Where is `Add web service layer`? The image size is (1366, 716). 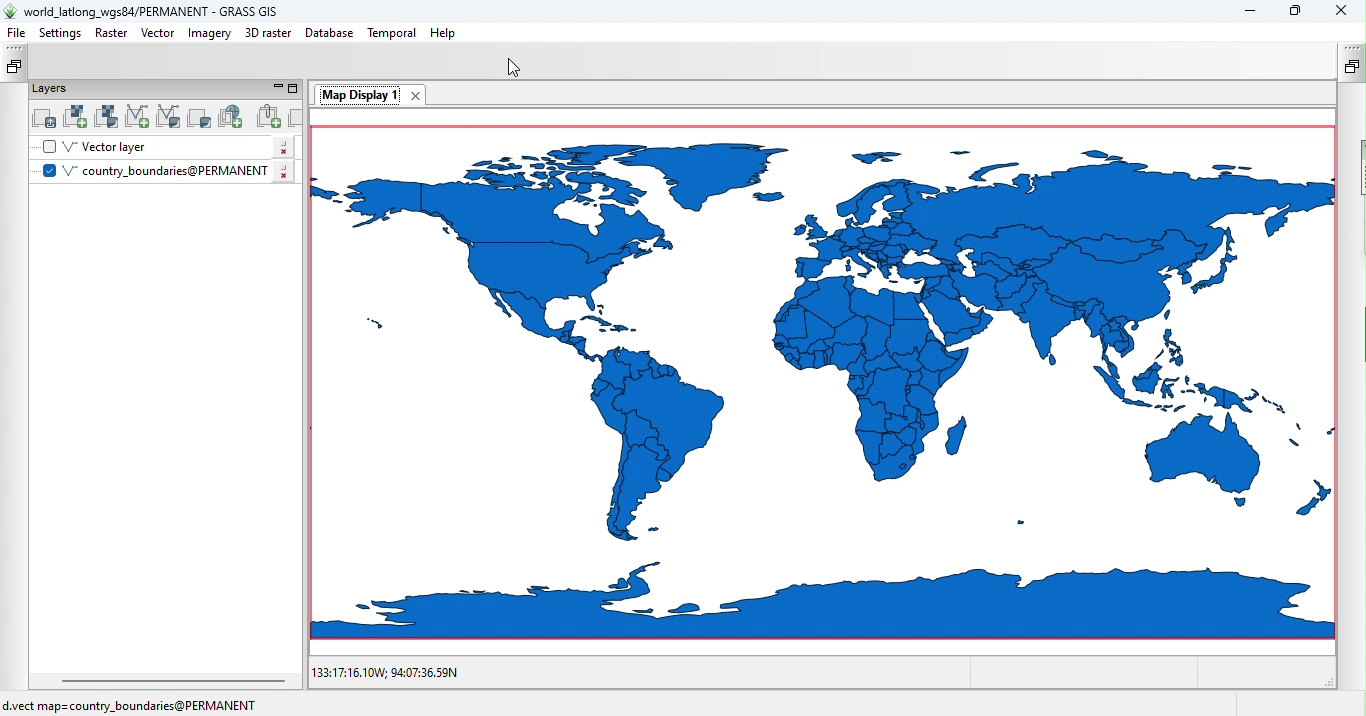 Add web service layer is located at coordinates (232, 117).